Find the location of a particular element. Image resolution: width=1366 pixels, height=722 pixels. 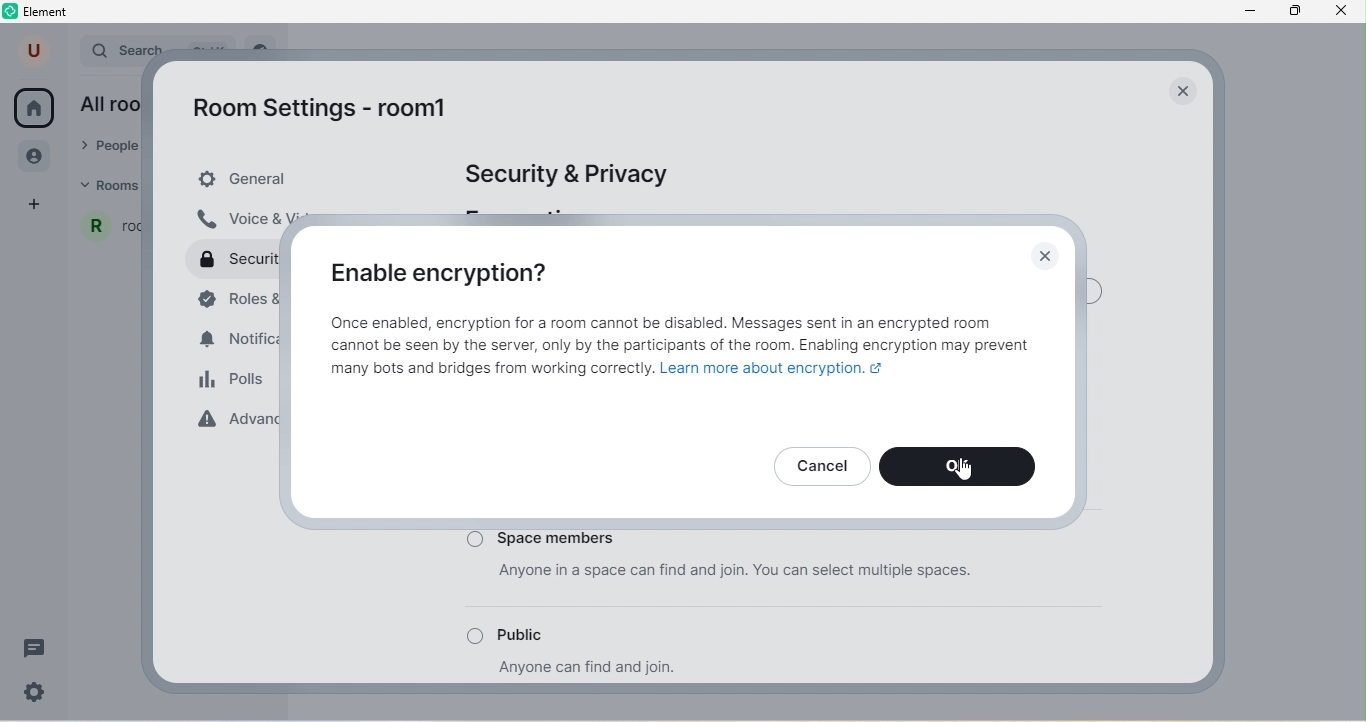

maximize is located at coordinates (1298, 13).